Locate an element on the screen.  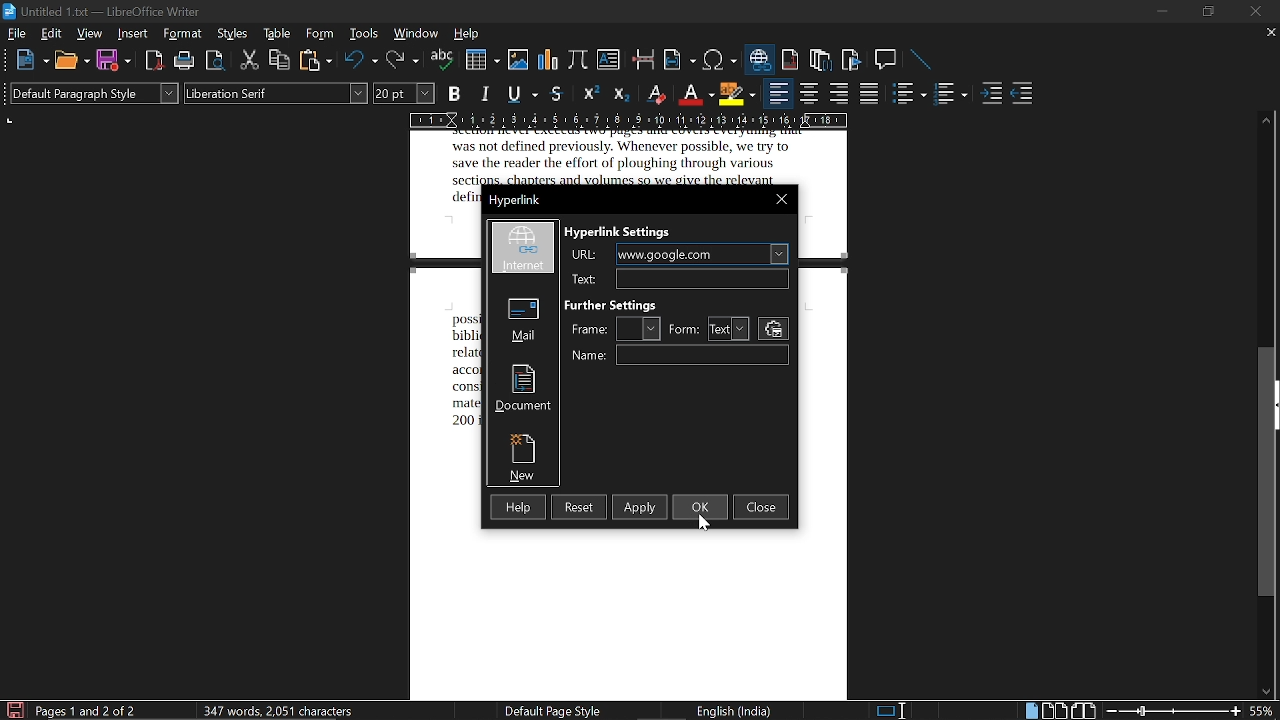
further styles is located at coordinates (625, 303).